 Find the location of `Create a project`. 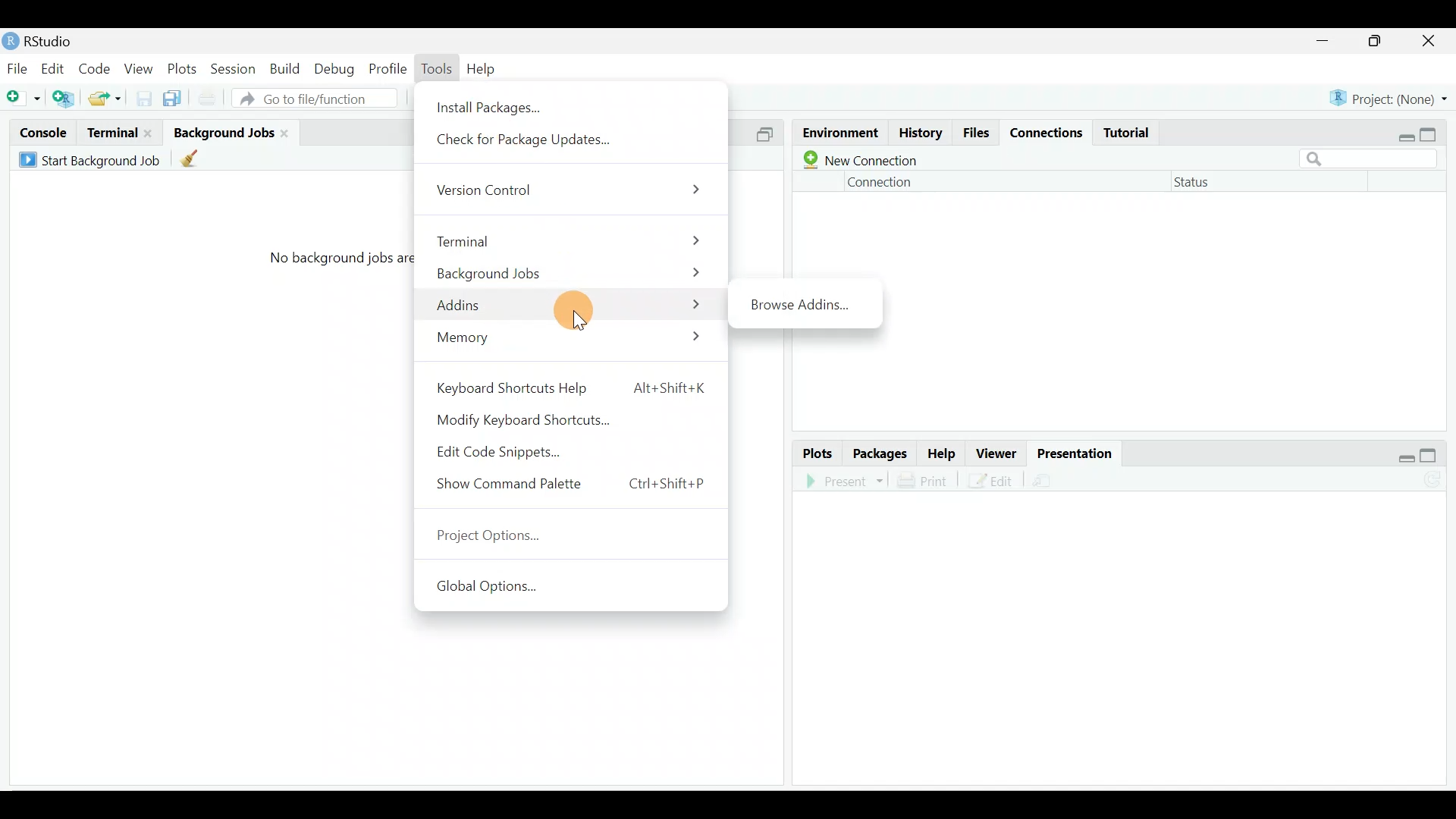

Create a project is located at coordinates (64, 98).